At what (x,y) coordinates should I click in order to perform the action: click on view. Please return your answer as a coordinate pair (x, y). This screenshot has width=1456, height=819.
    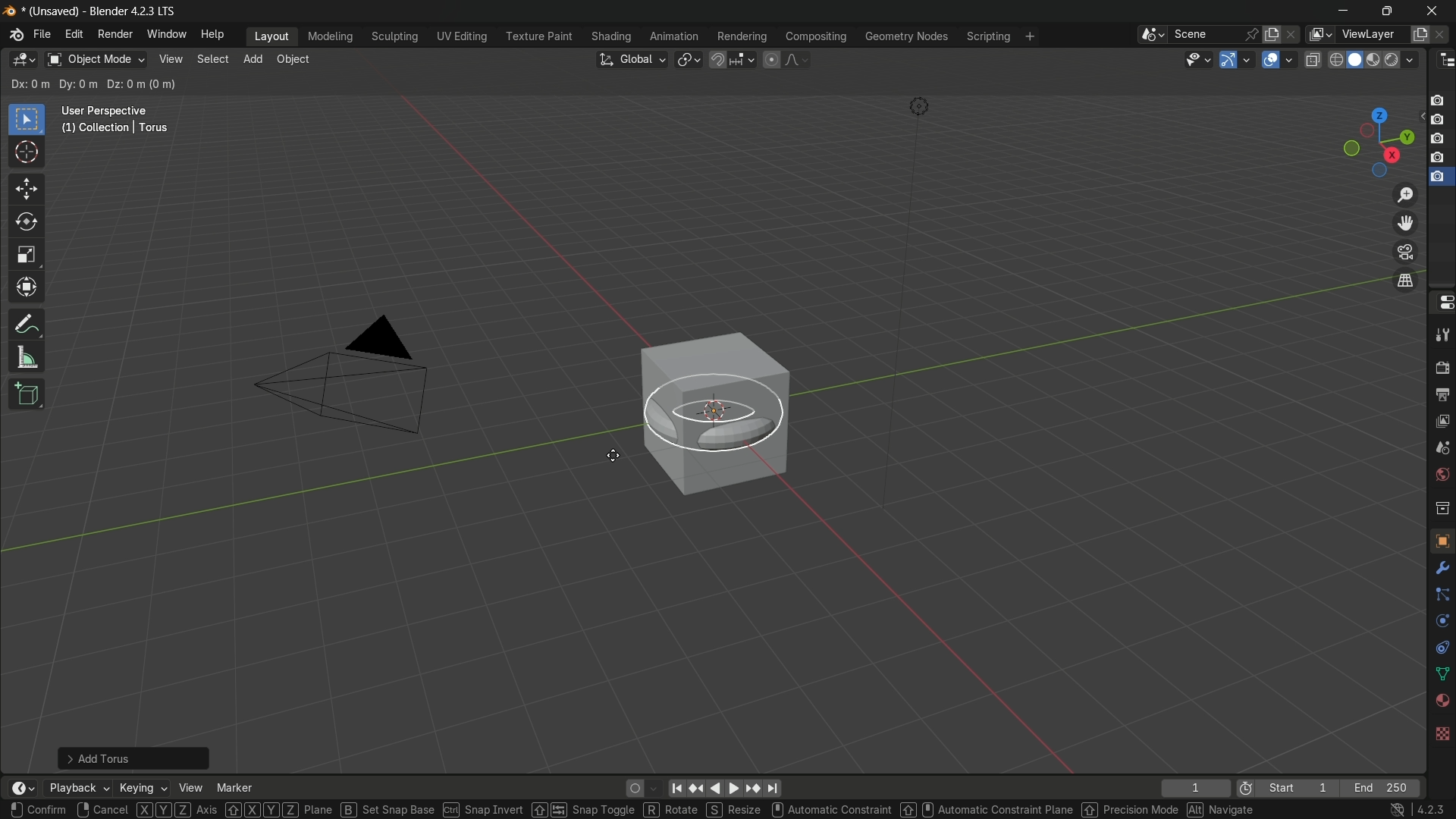
    Looking at the image, I should click on (1442, 424).